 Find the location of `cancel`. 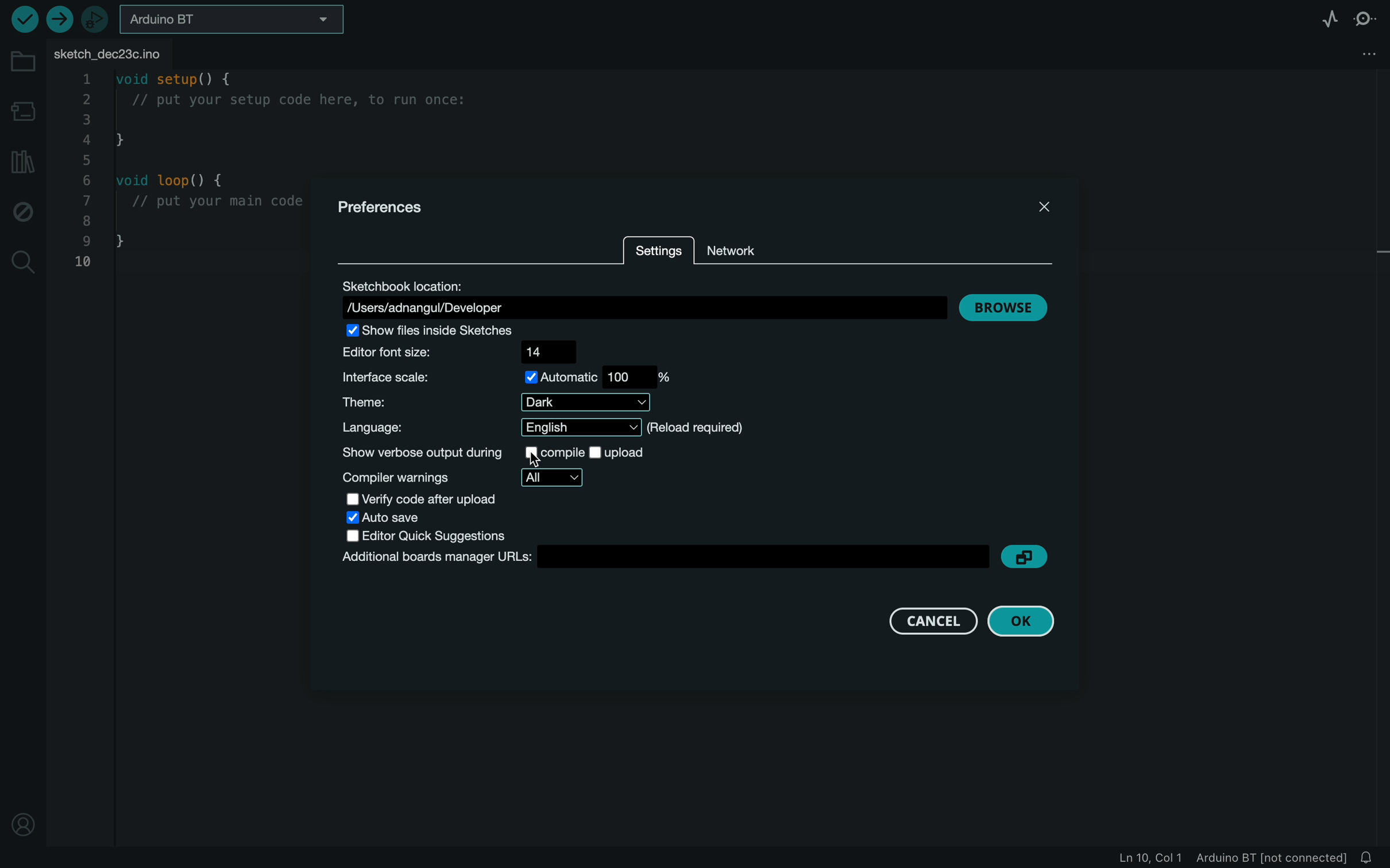

cancel is located at coordinates (934, 621).